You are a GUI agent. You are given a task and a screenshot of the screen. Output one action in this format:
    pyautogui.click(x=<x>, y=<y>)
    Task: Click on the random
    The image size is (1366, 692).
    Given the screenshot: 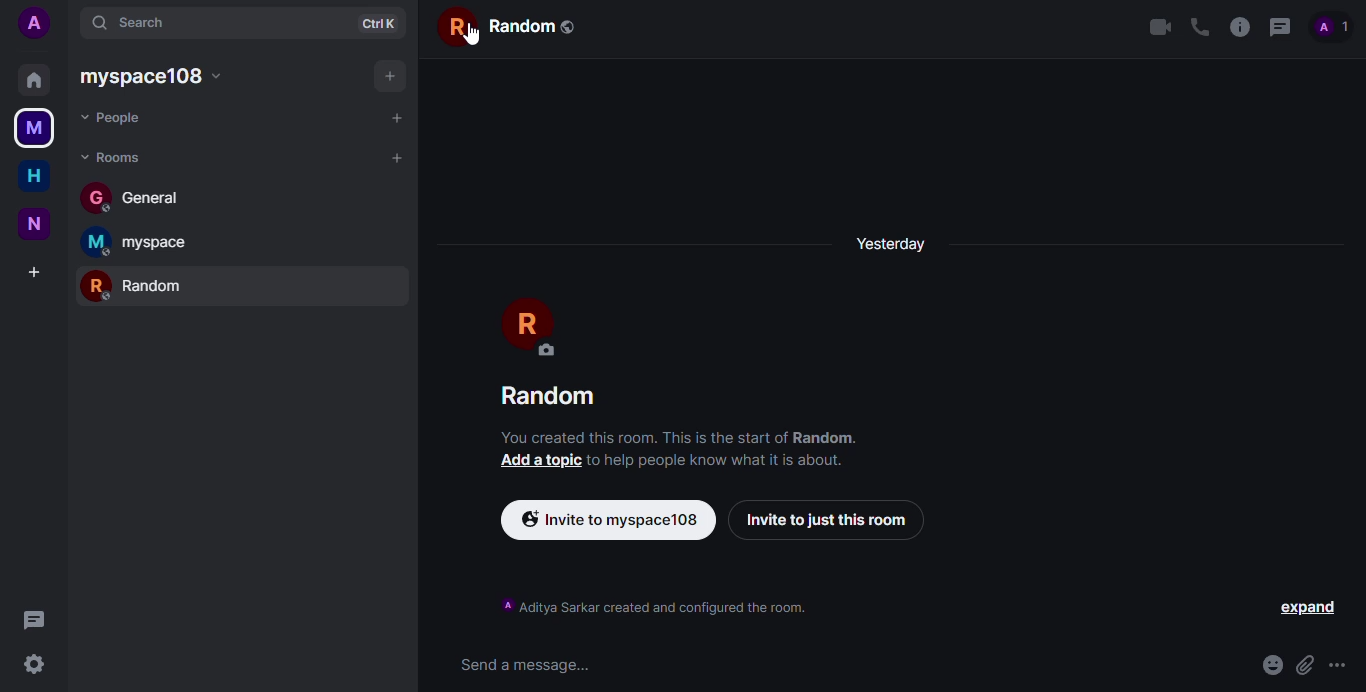 What is the action you would take?
    pyautogui.click(x=557, y=395)
    